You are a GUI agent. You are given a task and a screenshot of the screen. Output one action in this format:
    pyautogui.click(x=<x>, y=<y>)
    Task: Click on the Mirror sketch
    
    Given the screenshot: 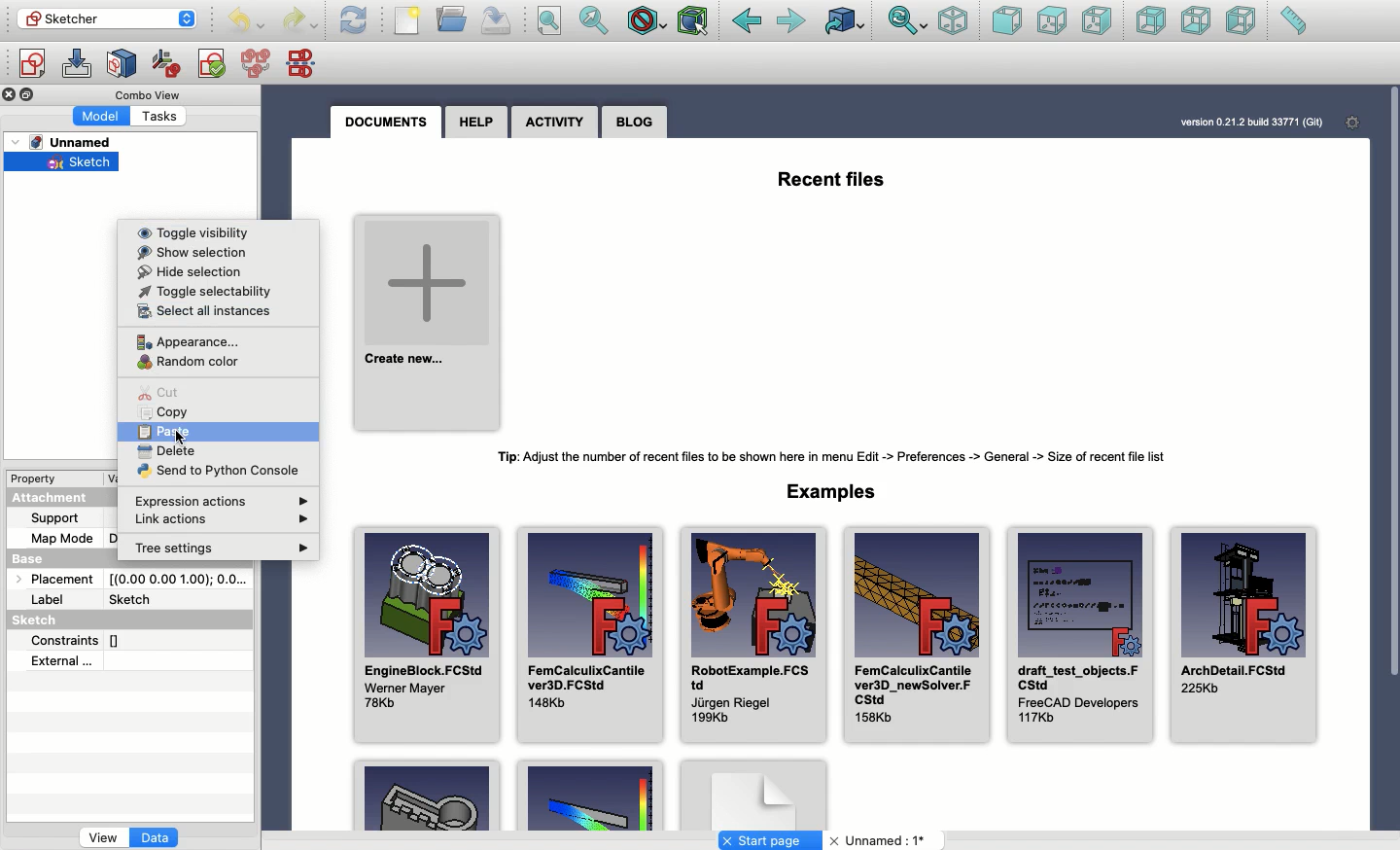 What is the action you would take?
    pyautogui.click(x=305, y=62)
    